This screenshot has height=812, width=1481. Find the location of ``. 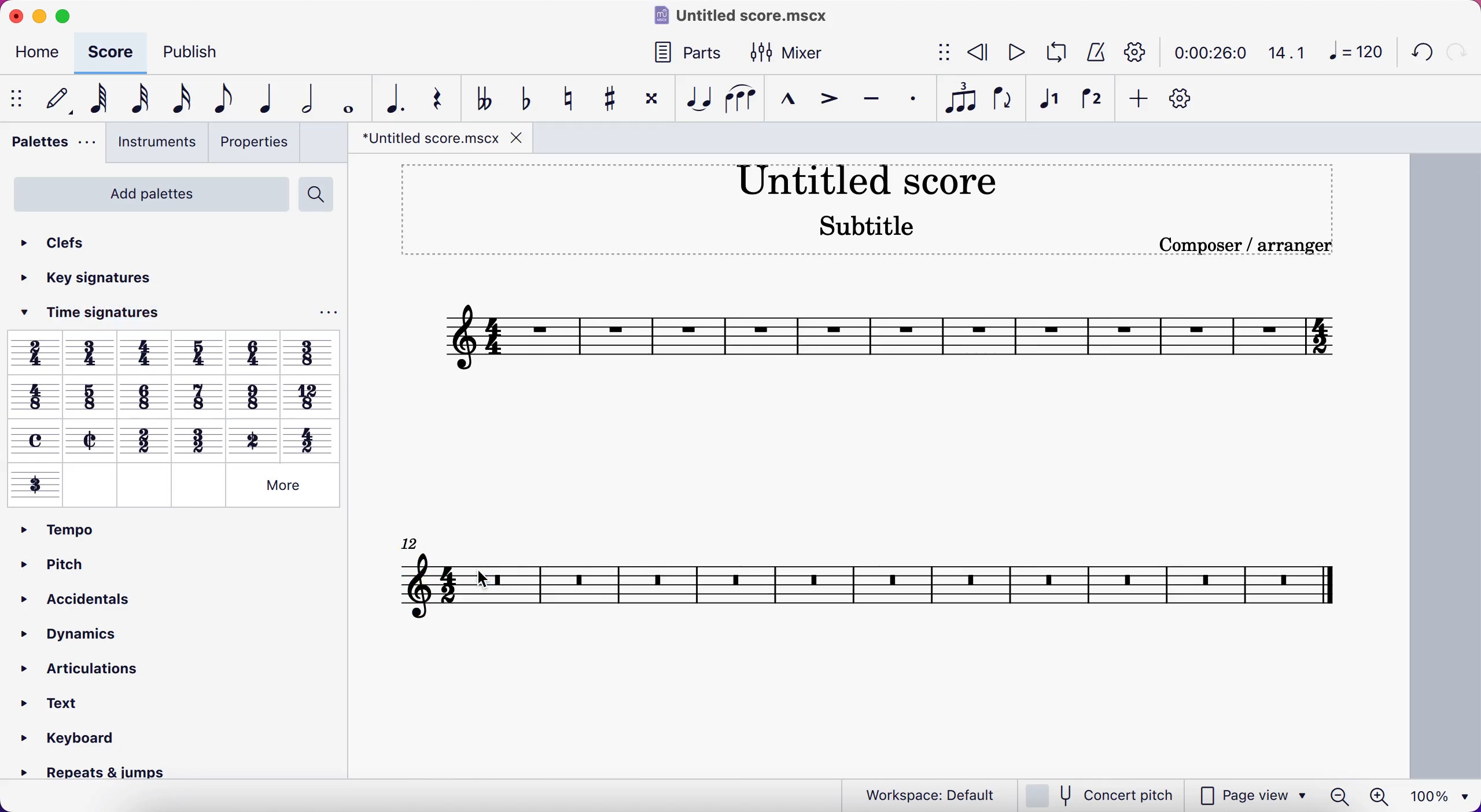

 is located at coordinates (35, 440).